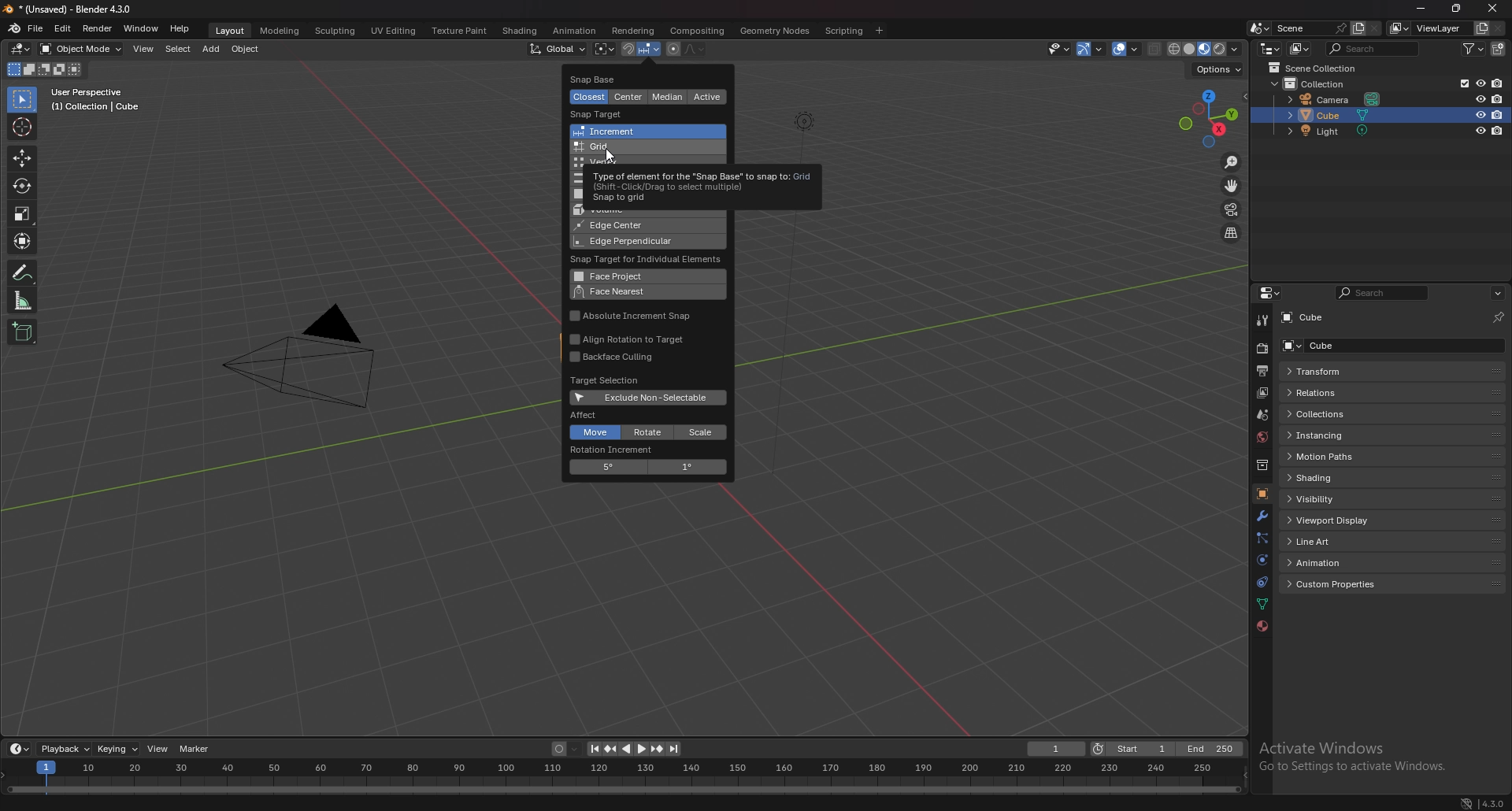 The width and height of the screenshot is (1512, 811). I want to click on uv editing, so click(392, 30).